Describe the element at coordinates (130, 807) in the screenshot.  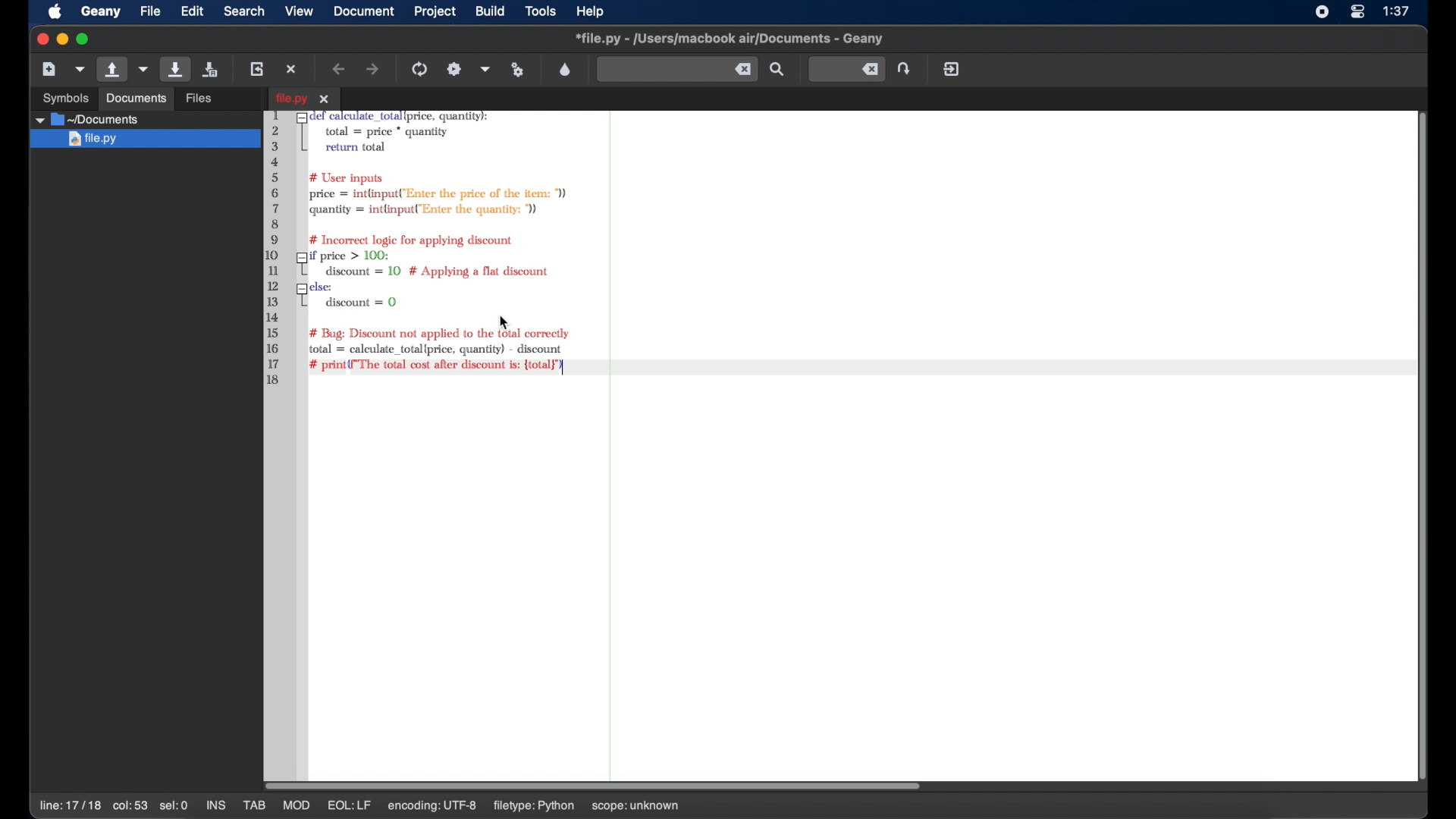
I see `col:51` at that location.